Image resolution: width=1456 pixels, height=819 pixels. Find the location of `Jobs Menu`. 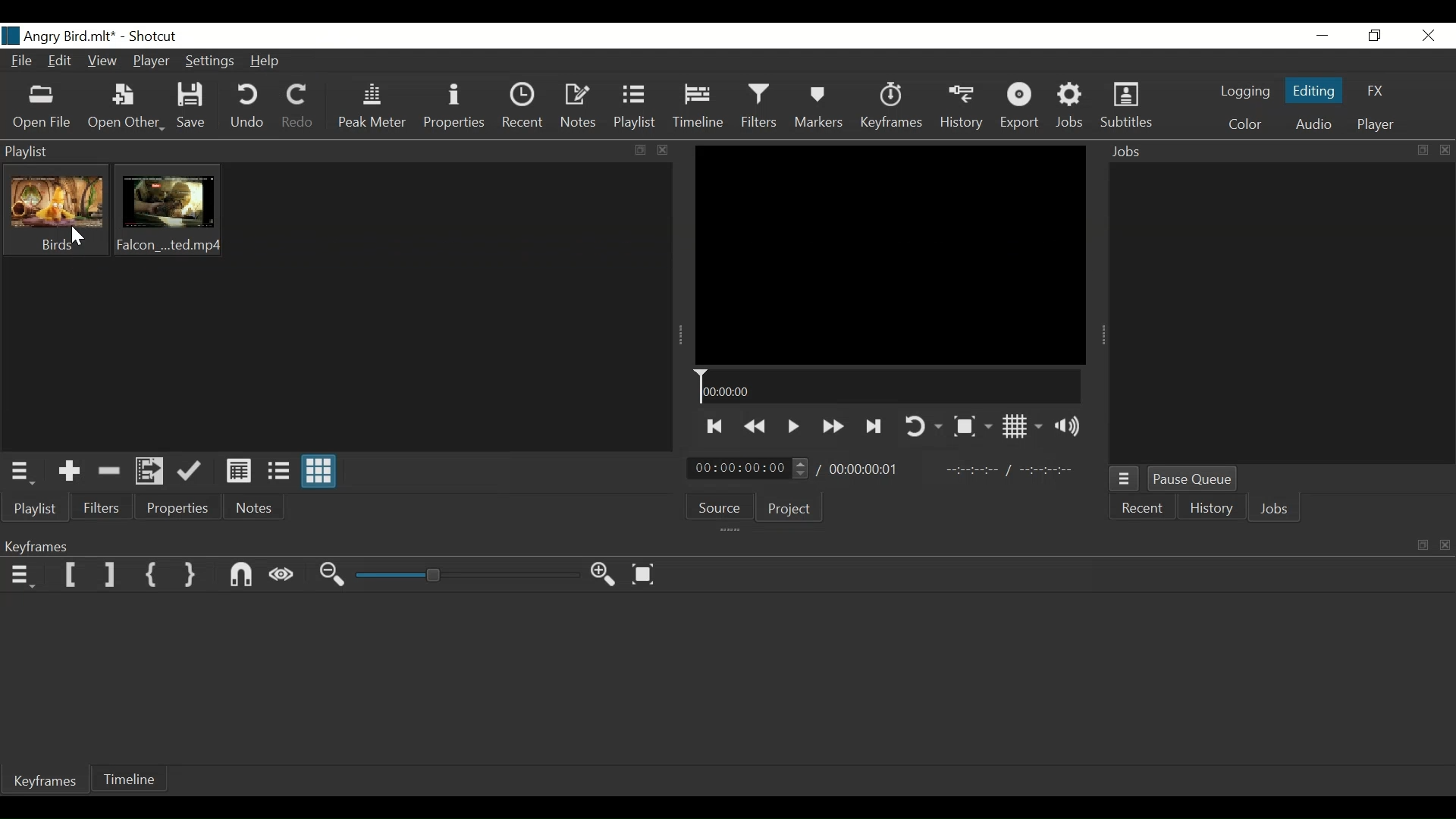

Jobs Menu is located at coordinates (1127, 479).